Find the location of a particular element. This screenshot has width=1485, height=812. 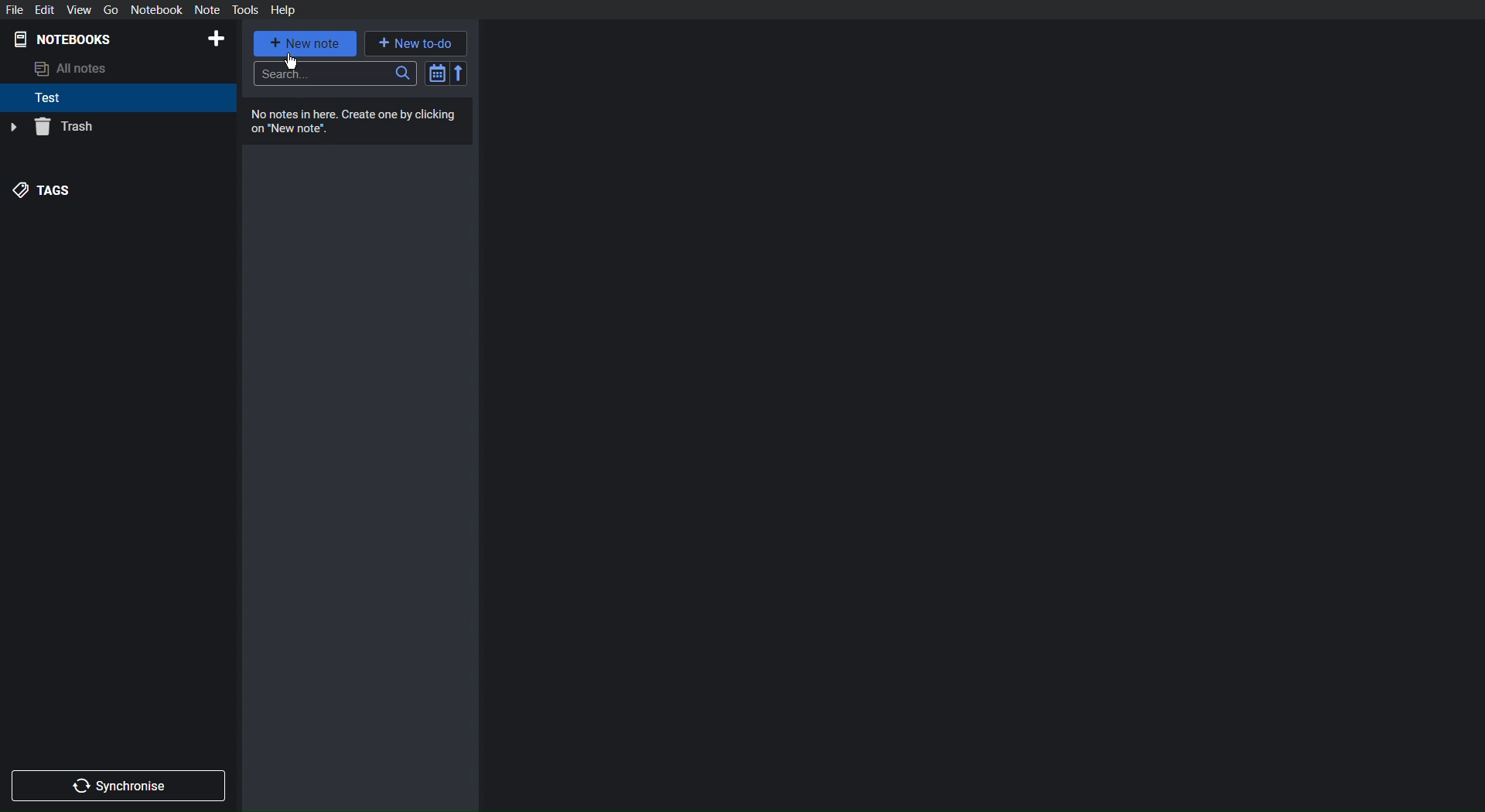

New note is located at coordinates (306, 44).